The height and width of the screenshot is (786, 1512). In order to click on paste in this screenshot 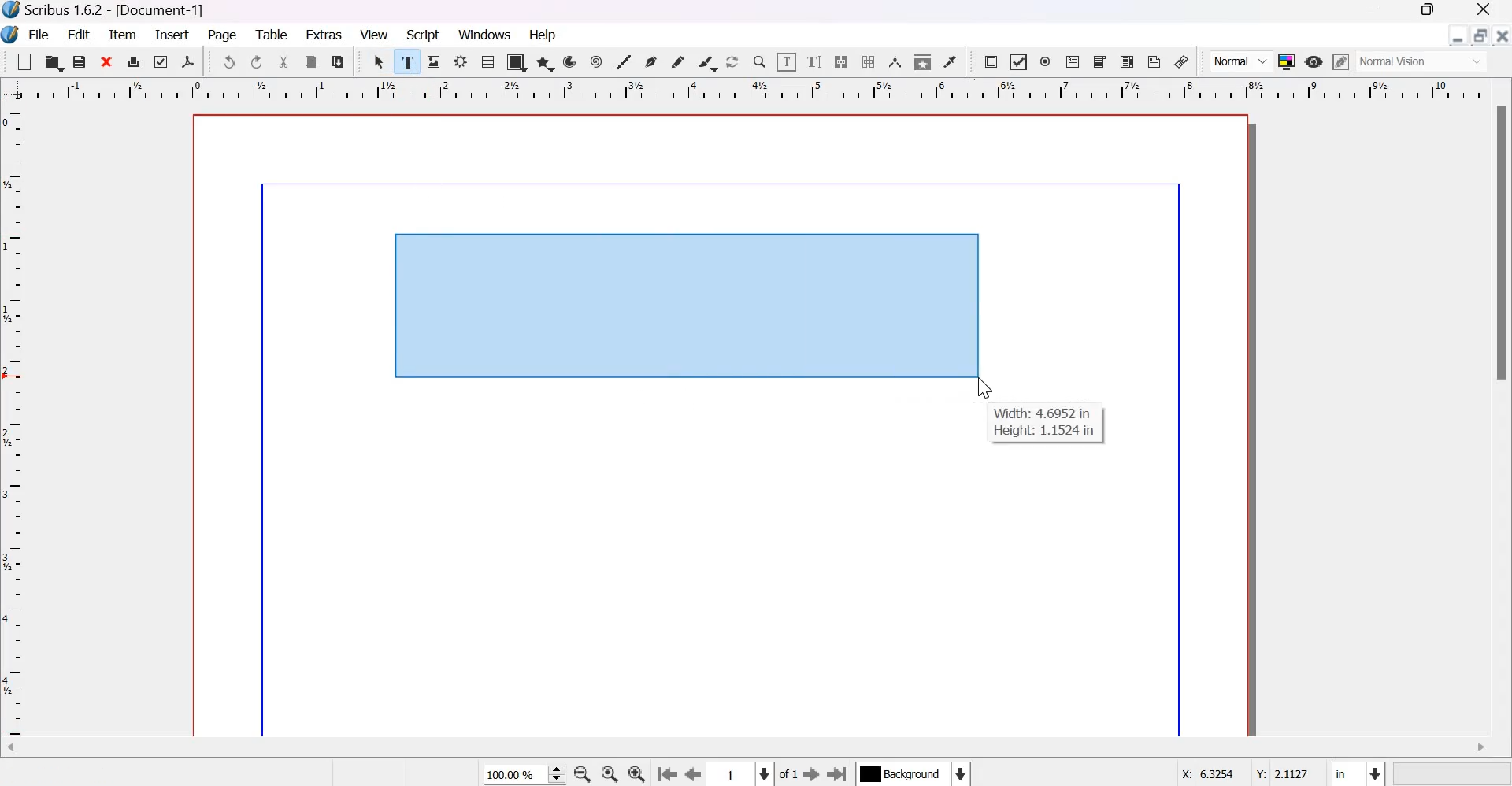, I will do `click(339, 61)`.